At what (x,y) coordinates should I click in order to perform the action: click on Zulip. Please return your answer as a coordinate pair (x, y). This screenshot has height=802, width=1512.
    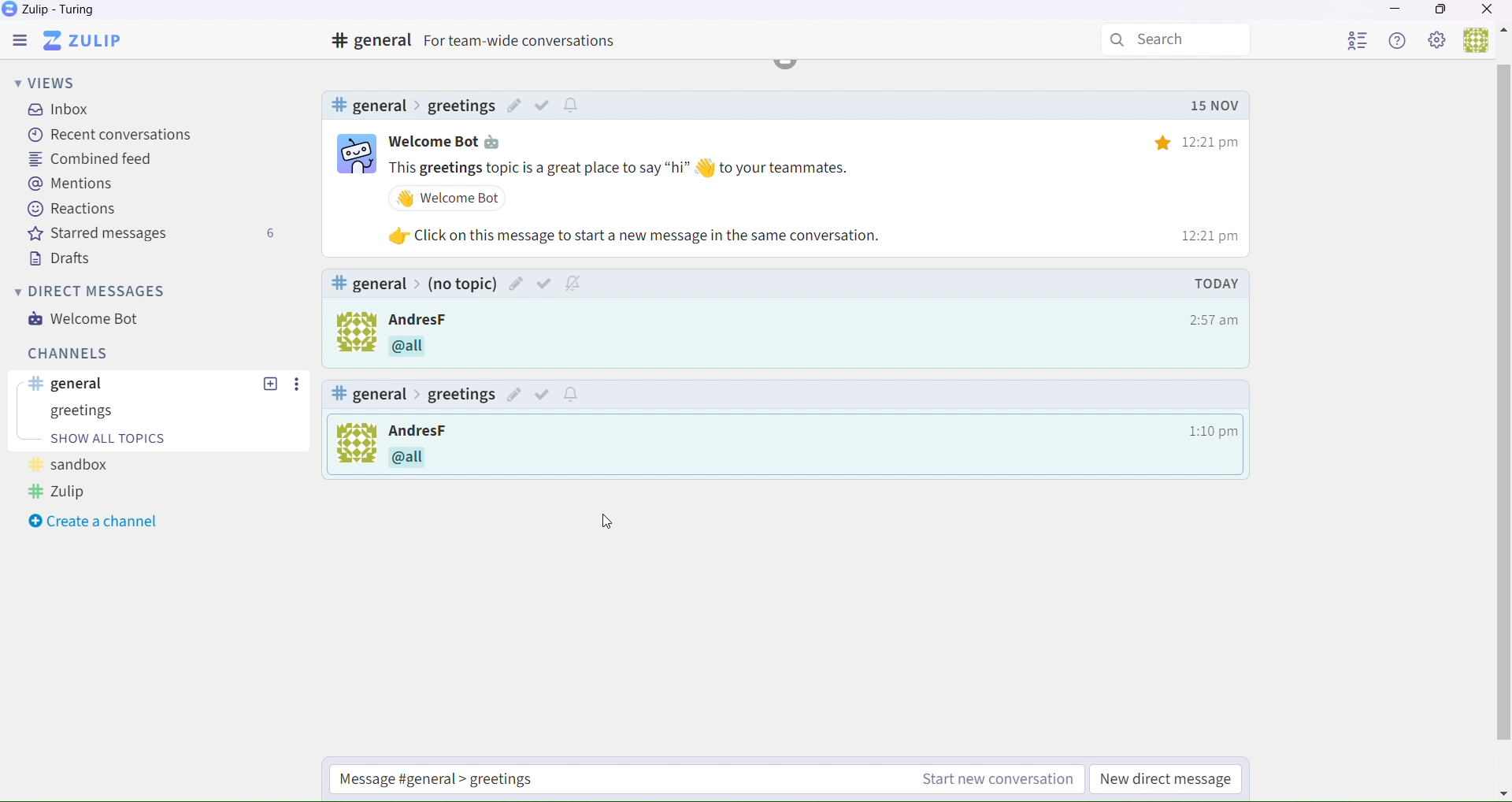
    Looking at the image, I should click on (54, 12).